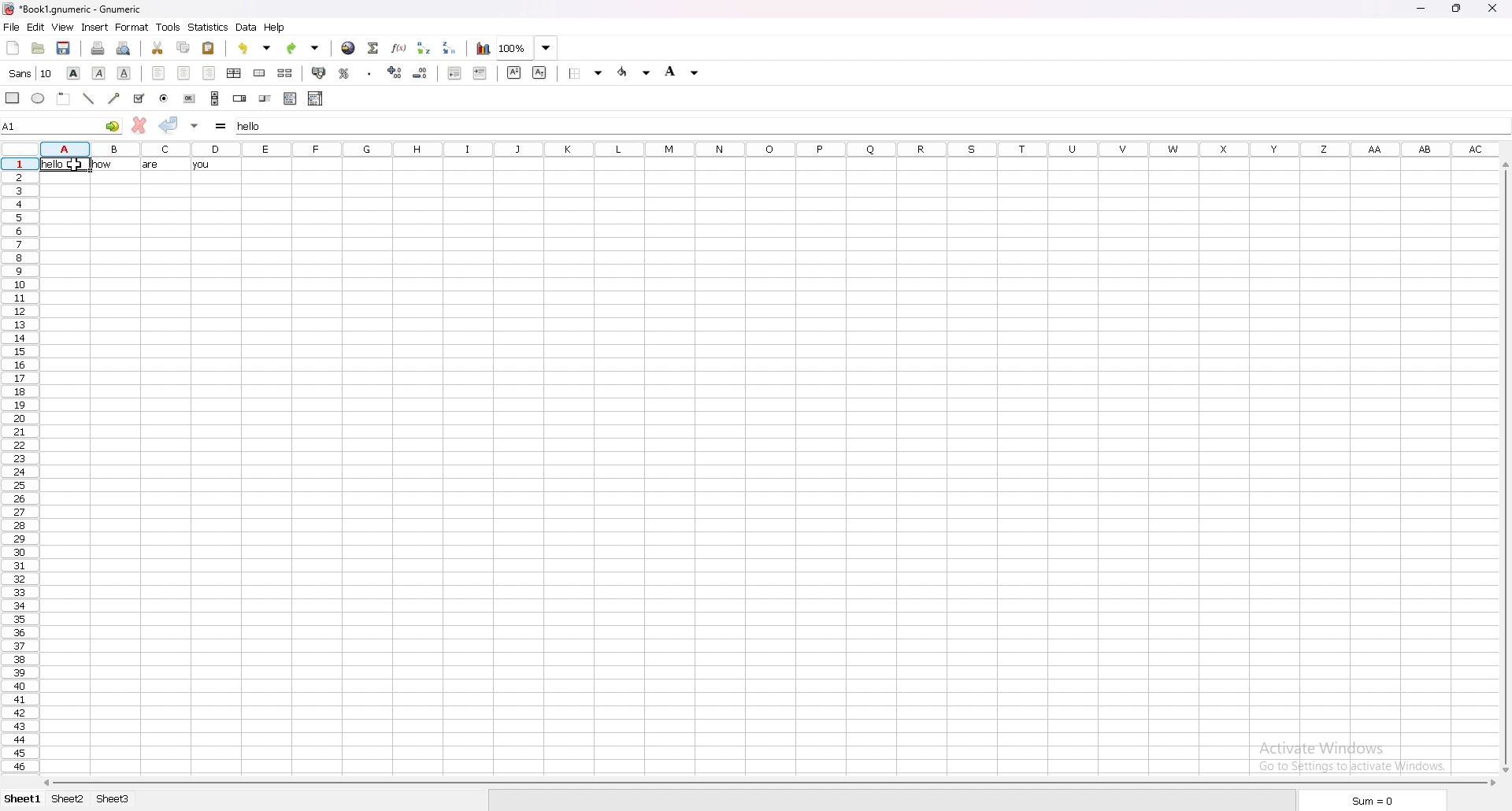  What do you see at coordinates (12, 98) in the screenshot?
I see `rectangle` at bounding box center [12, 98].